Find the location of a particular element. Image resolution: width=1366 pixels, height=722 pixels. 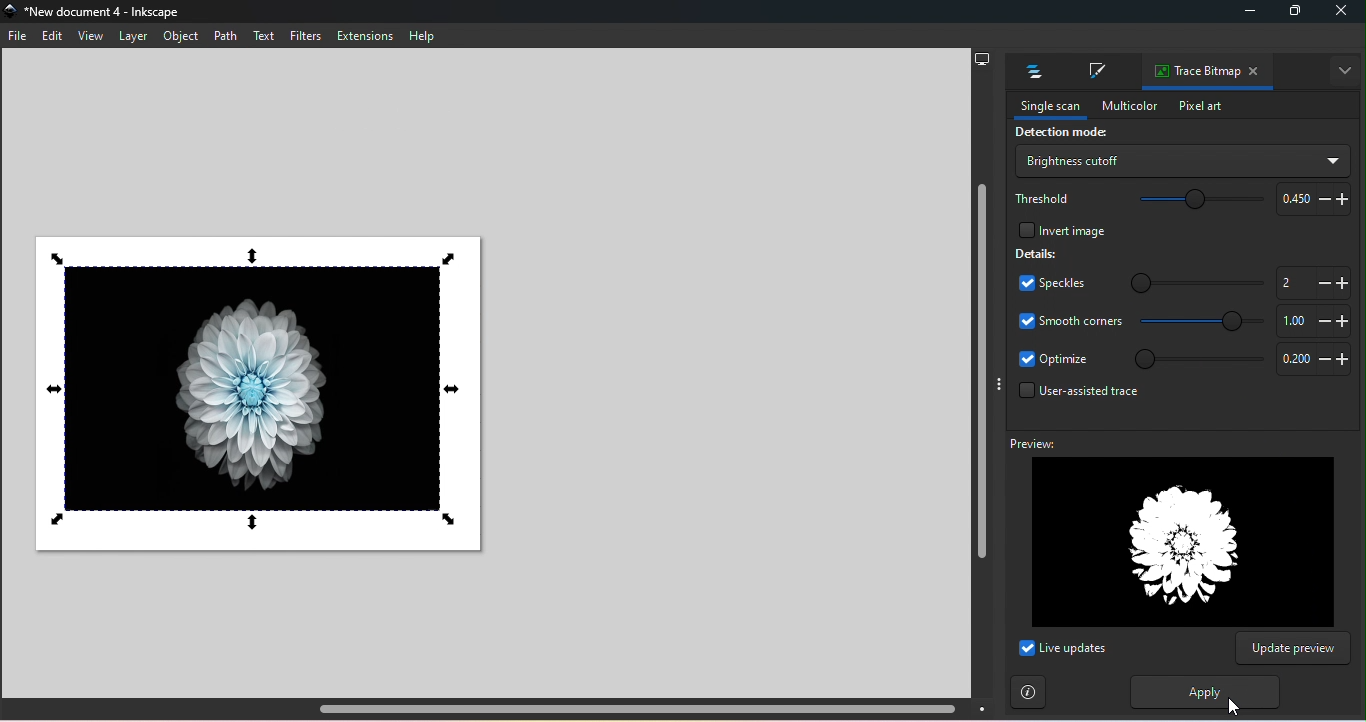

Smooth corners is located at coordinates (1070, 320).